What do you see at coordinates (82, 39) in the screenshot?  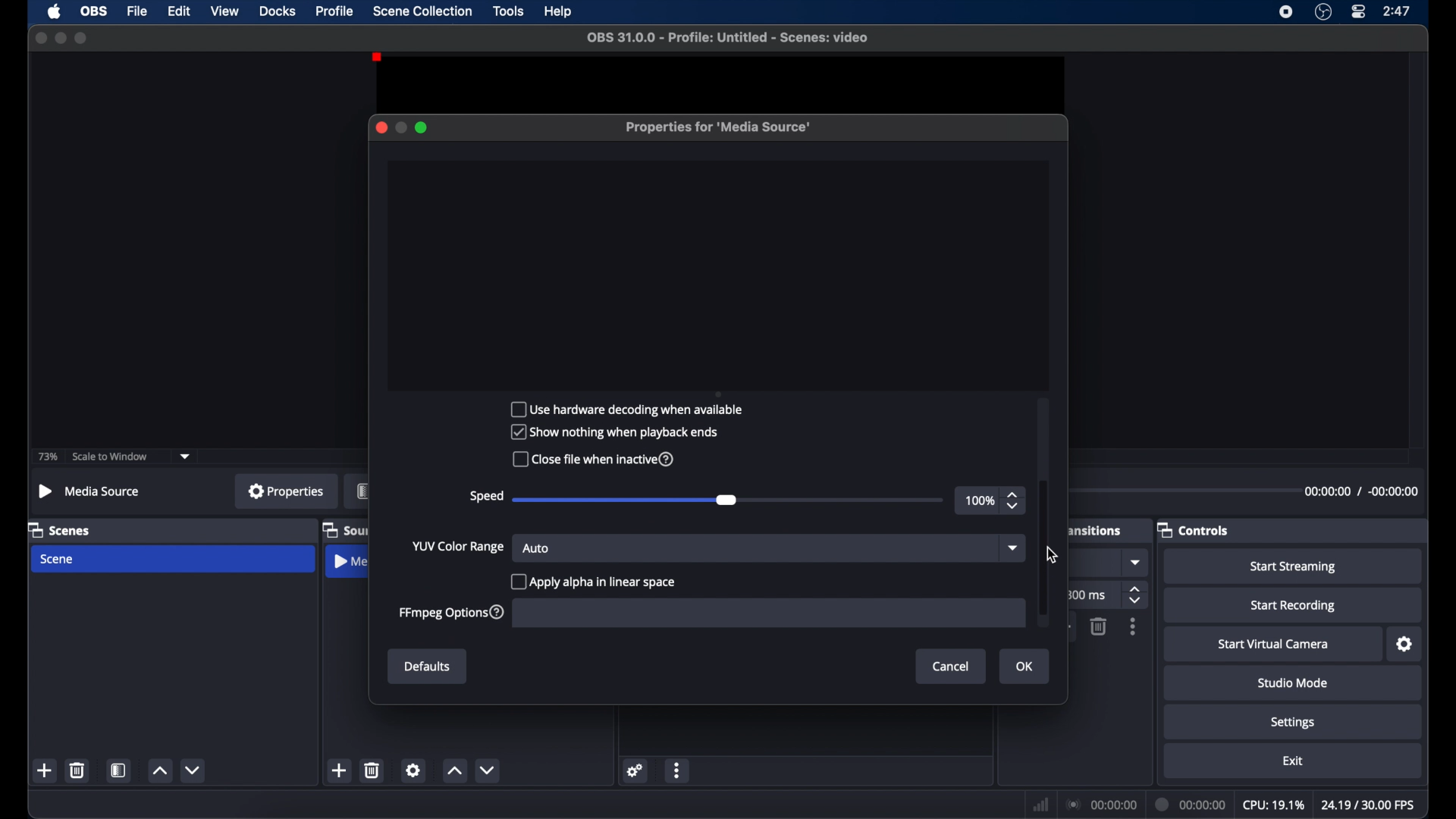 I see `maximize` at bounding box center [82, 39].